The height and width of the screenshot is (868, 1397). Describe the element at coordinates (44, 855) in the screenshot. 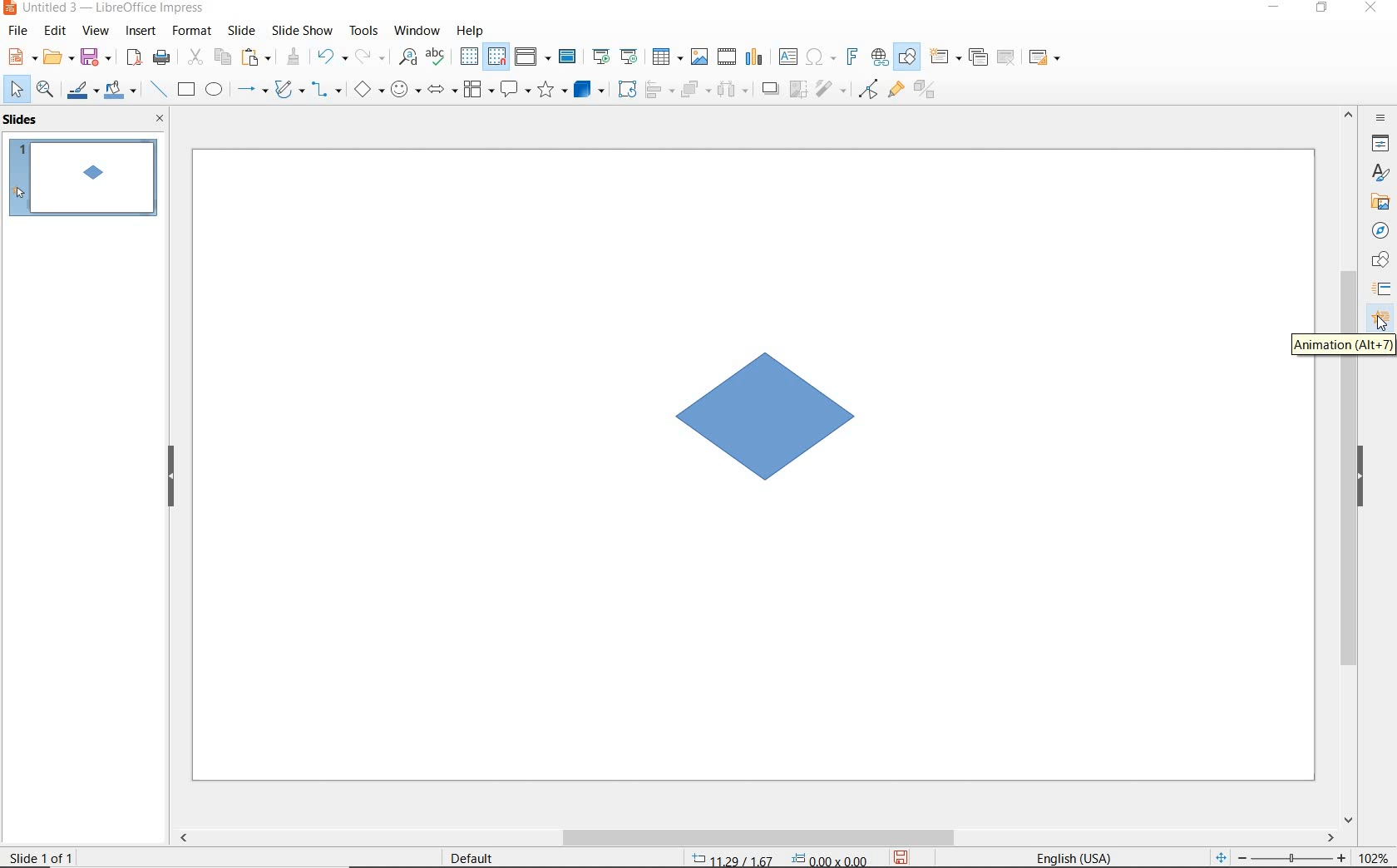

I see `slide 1 of 1` at that location.